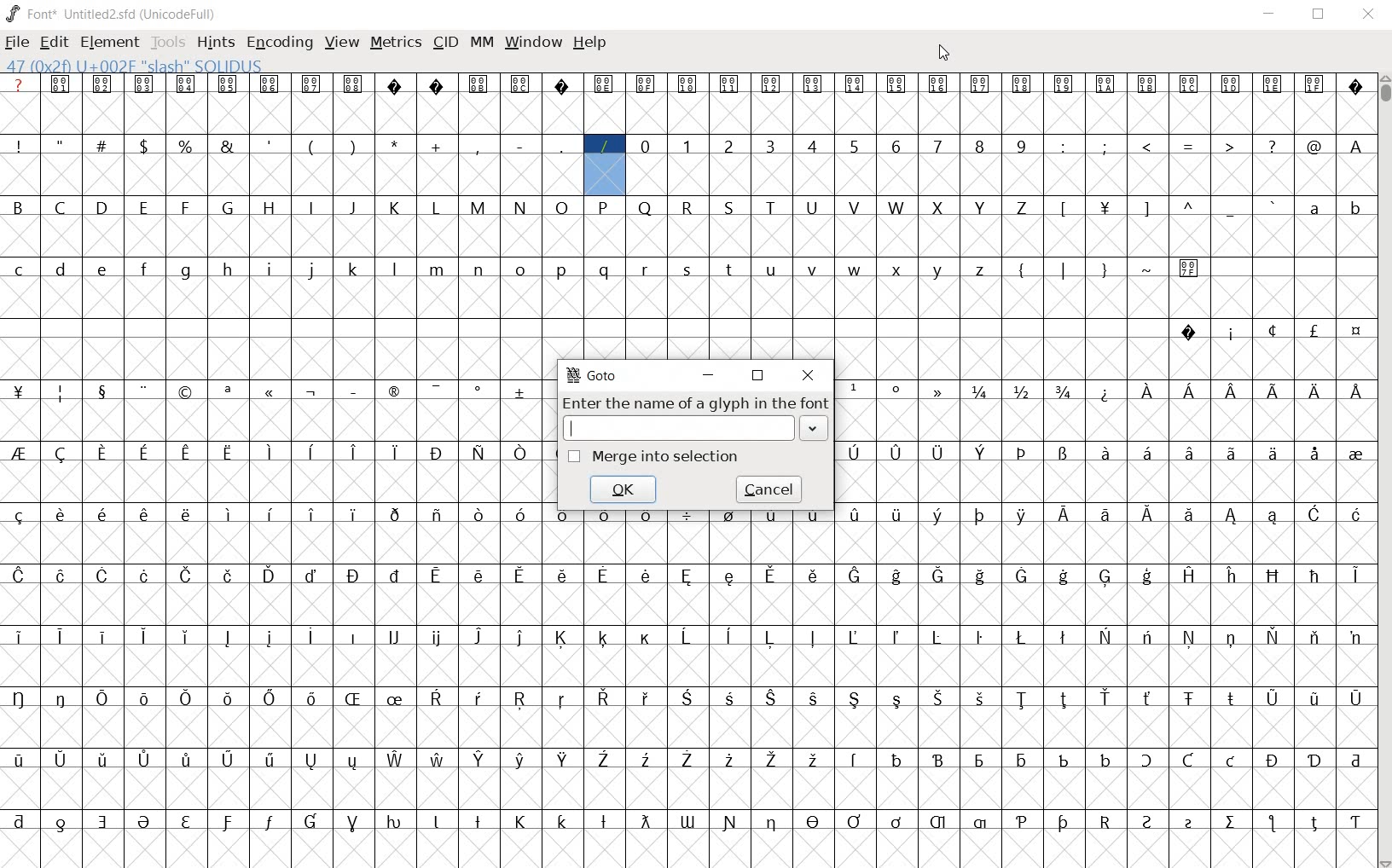 The image size is (1392, 868). I want to click on glyph, so click(227, 146).